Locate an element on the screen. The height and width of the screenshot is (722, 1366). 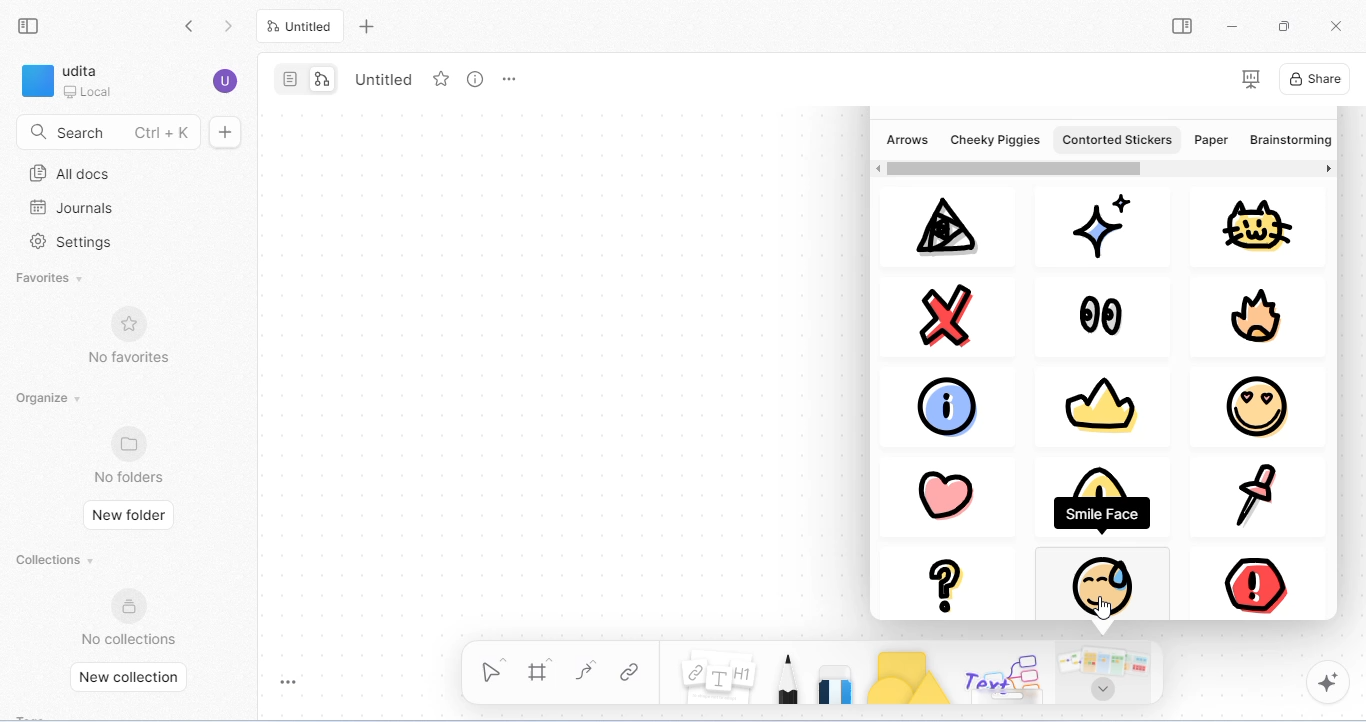
add favorite is located at coordinates (442, 78).